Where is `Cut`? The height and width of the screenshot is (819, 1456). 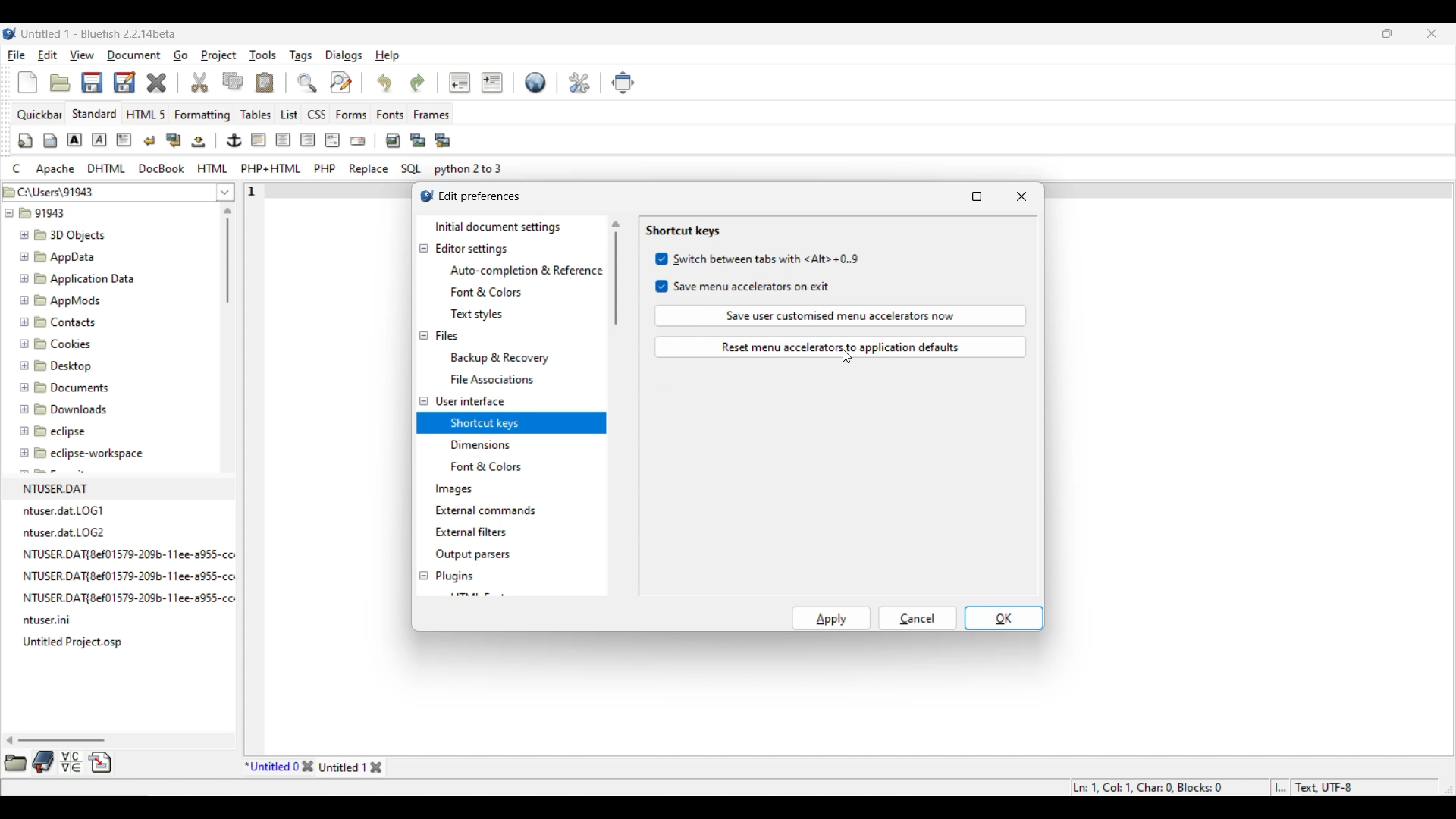 Cut is located at coordinates (200, 82).